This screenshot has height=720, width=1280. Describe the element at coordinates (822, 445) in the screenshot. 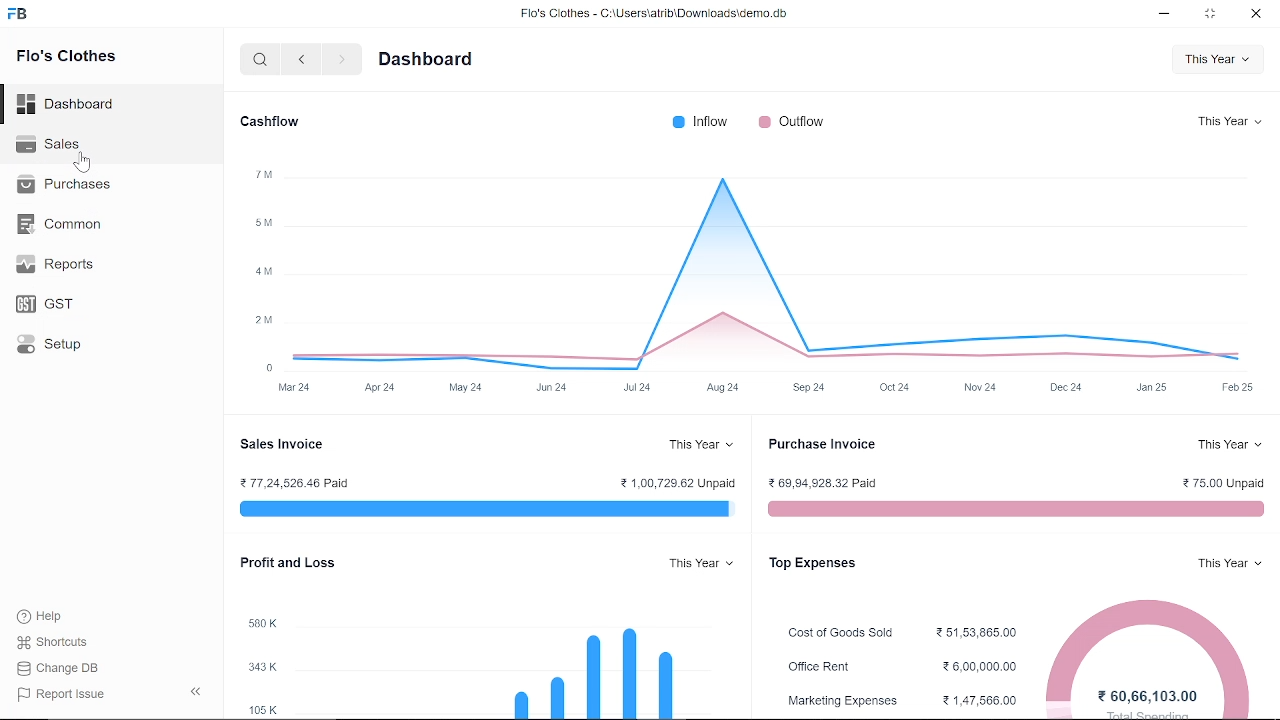

I see `Purchase Invoice` at that location.